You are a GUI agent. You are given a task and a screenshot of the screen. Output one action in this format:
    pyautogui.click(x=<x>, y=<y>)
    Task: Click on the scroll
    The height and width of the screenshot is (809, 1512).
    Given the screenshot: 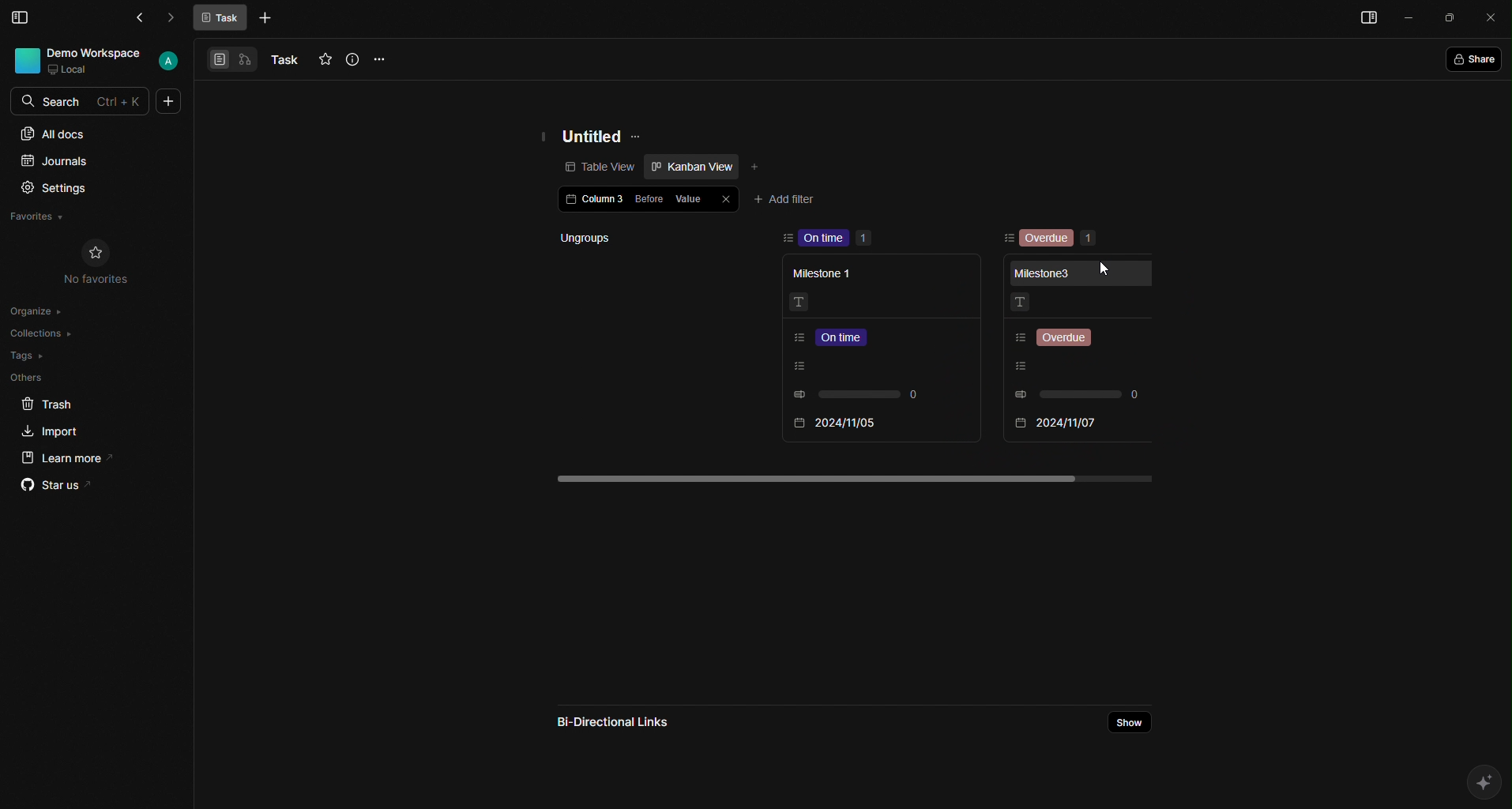 What is the action you would take?
    pyautogui.click(x=859, y=478)
    